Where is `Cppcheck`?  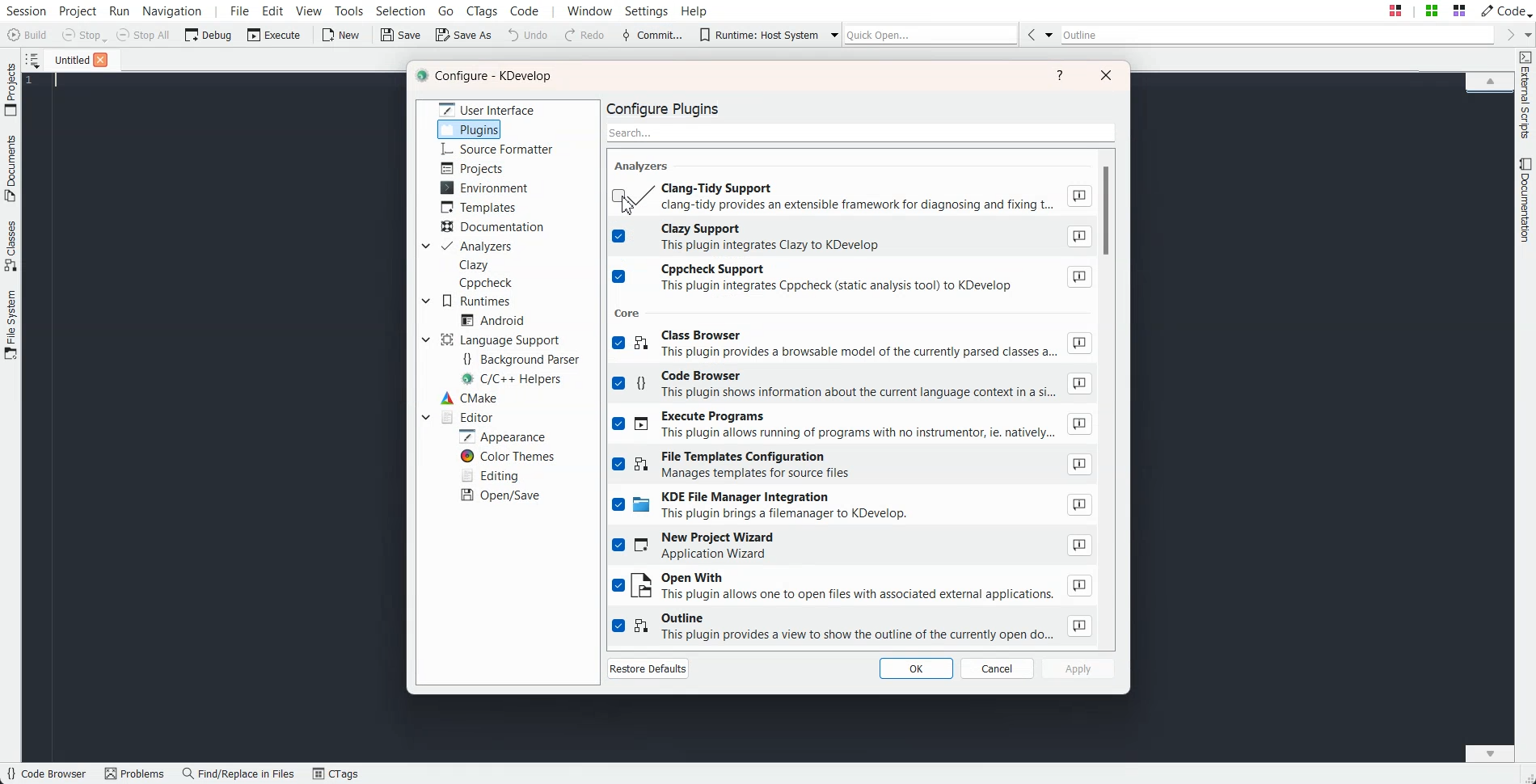 Cppcheck is located at coordinates (488, 283).